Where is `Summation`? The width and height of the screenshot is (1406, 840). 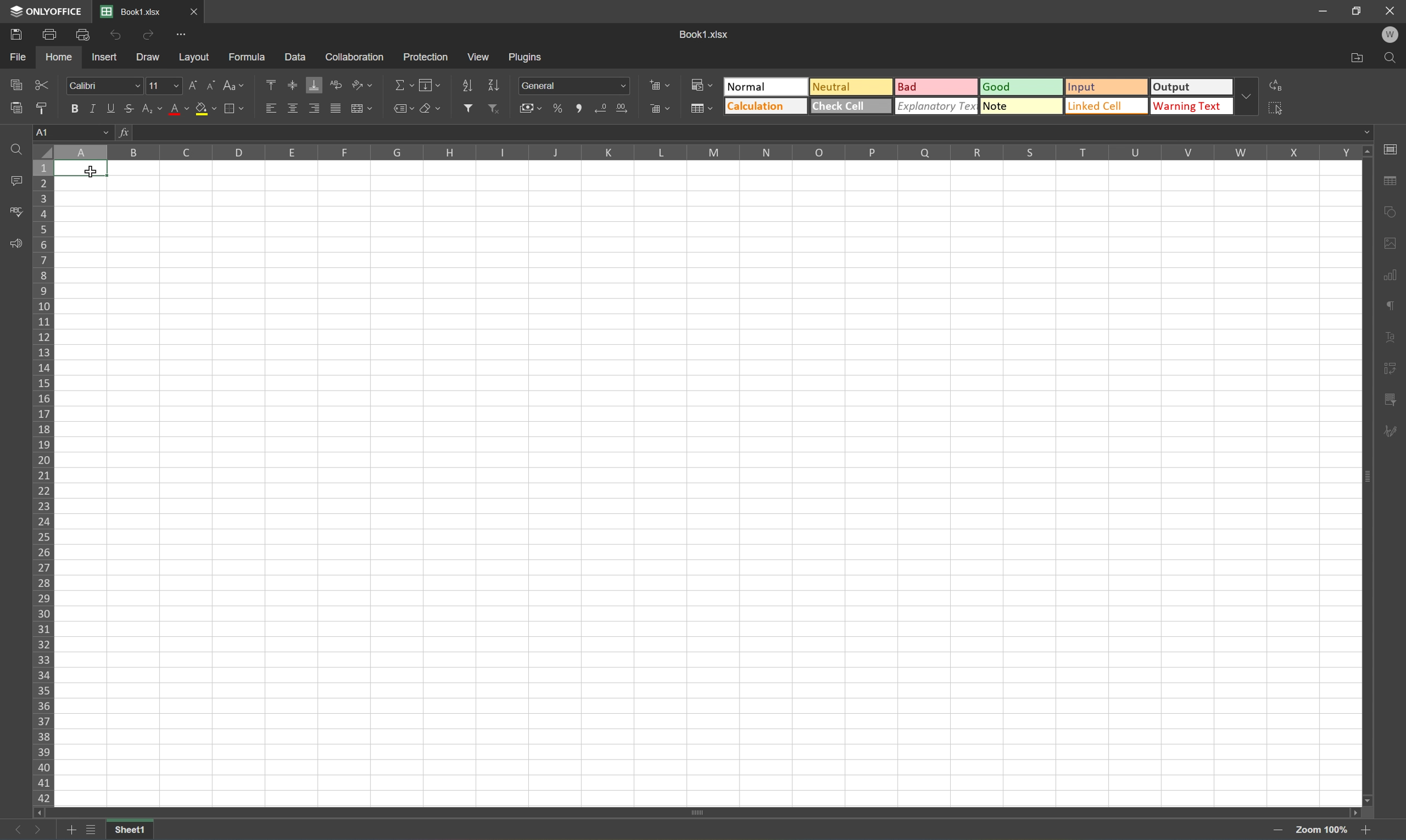
Summation is located at coordinates (402, 85).